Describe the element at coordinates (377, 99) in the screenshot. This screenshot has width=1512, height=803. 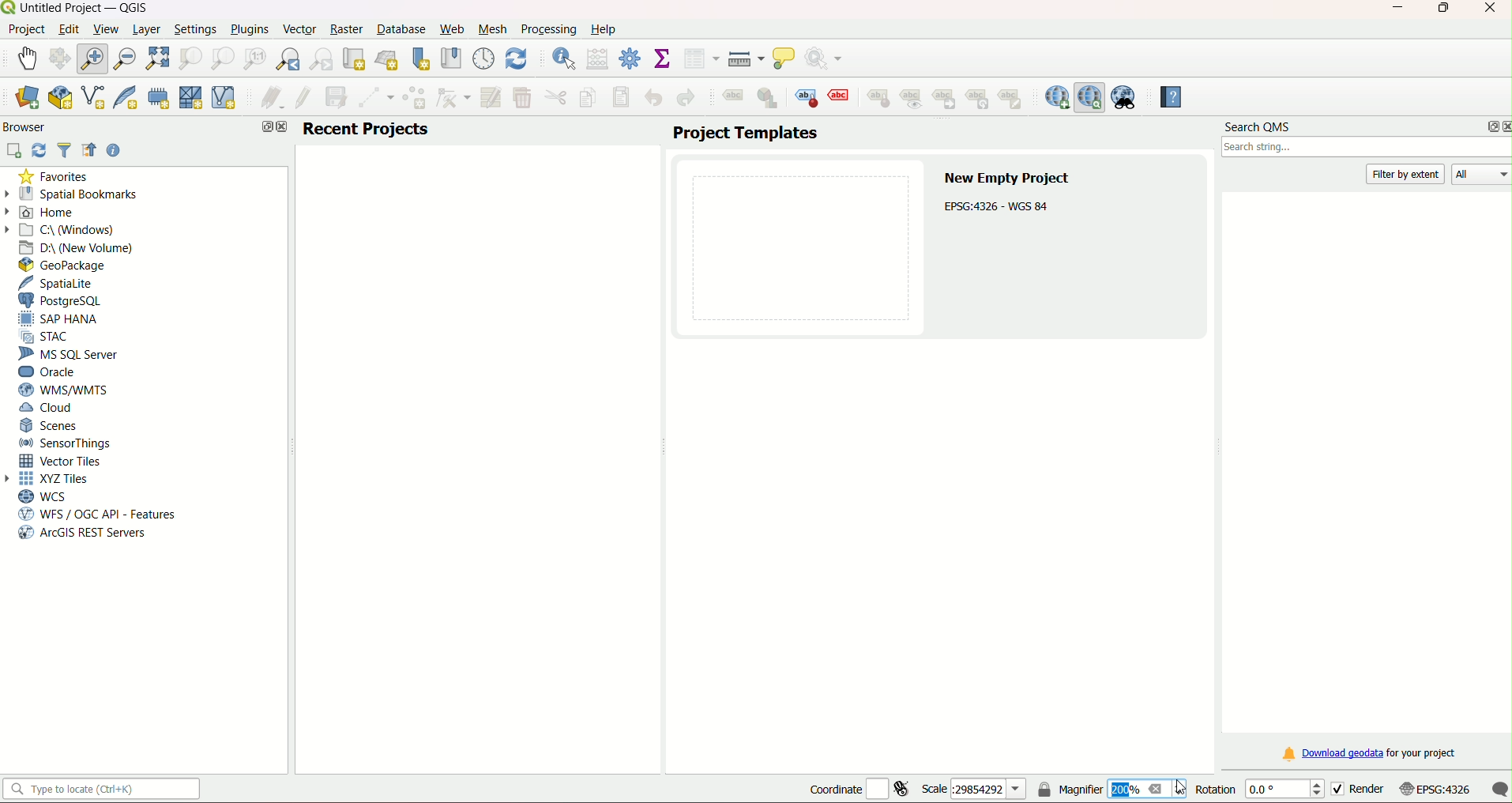
I see `digitized with   ` at that location.